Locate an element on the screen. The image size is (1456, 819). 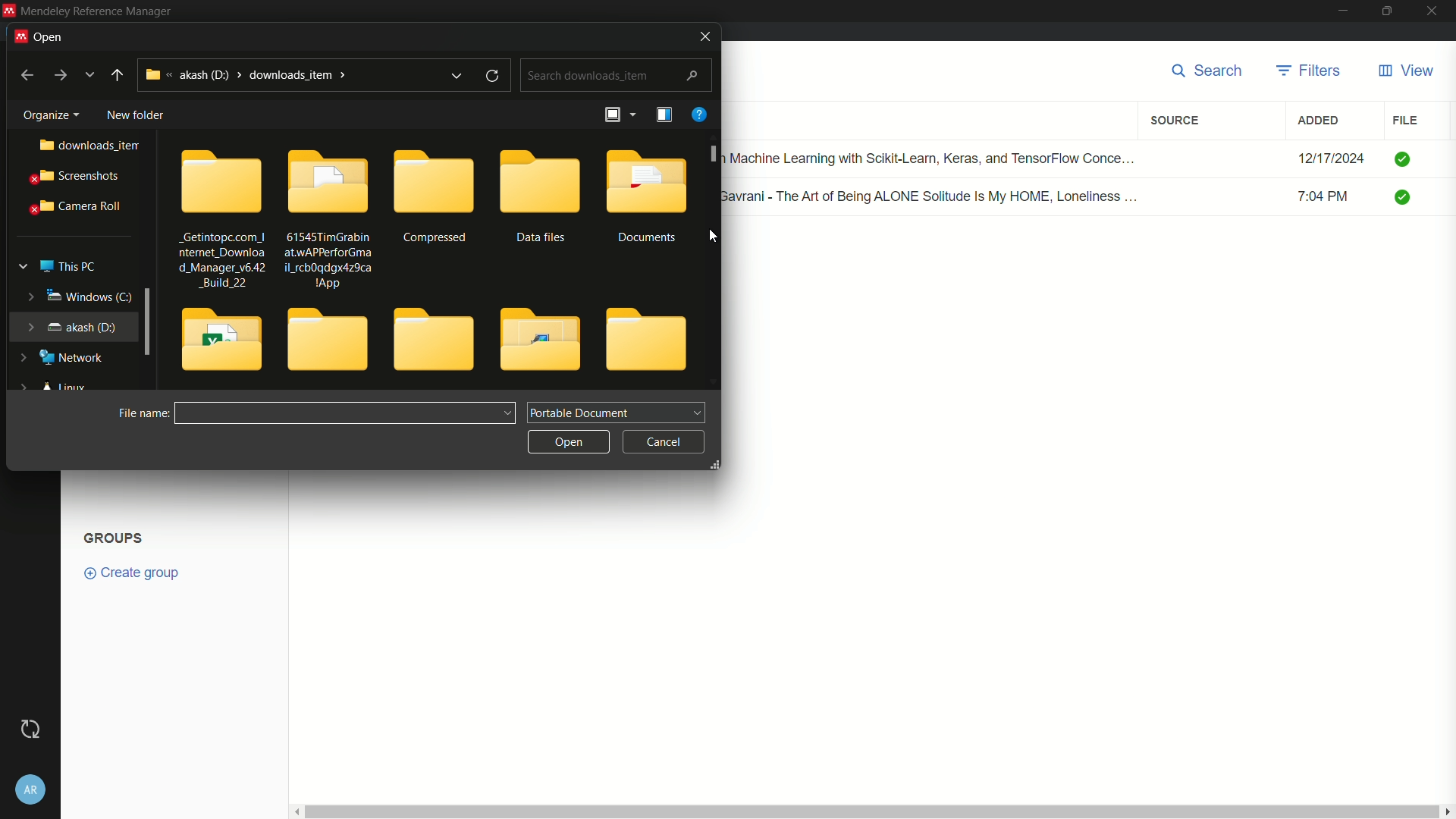
61545TimGrabinatwAPPerforGmail_rcb0qdgx4z9ca1App is located at coordinates (328, 217).